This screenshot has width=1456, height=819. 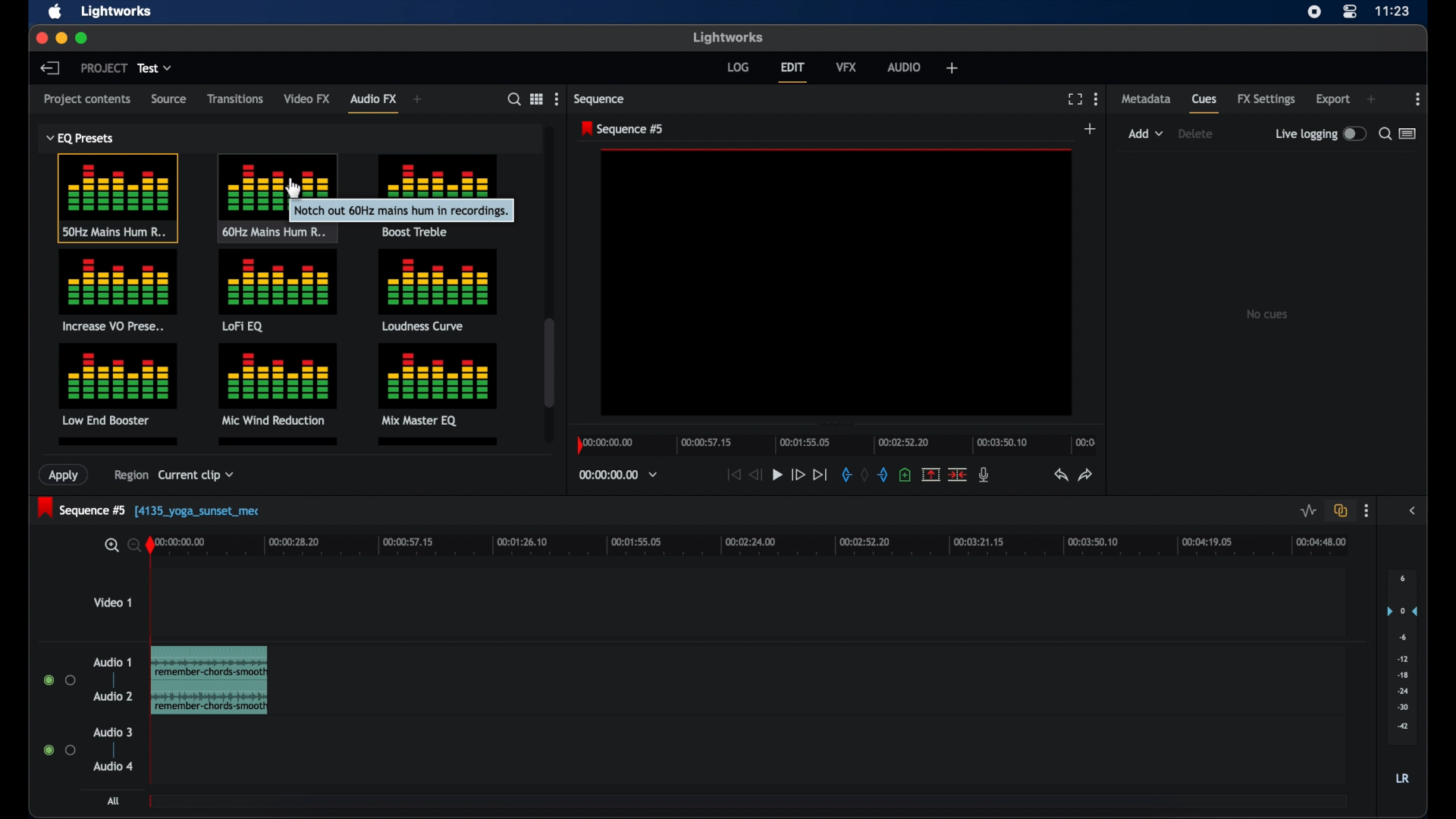 I want to click on fx settings, so click(x=1266, y=99).